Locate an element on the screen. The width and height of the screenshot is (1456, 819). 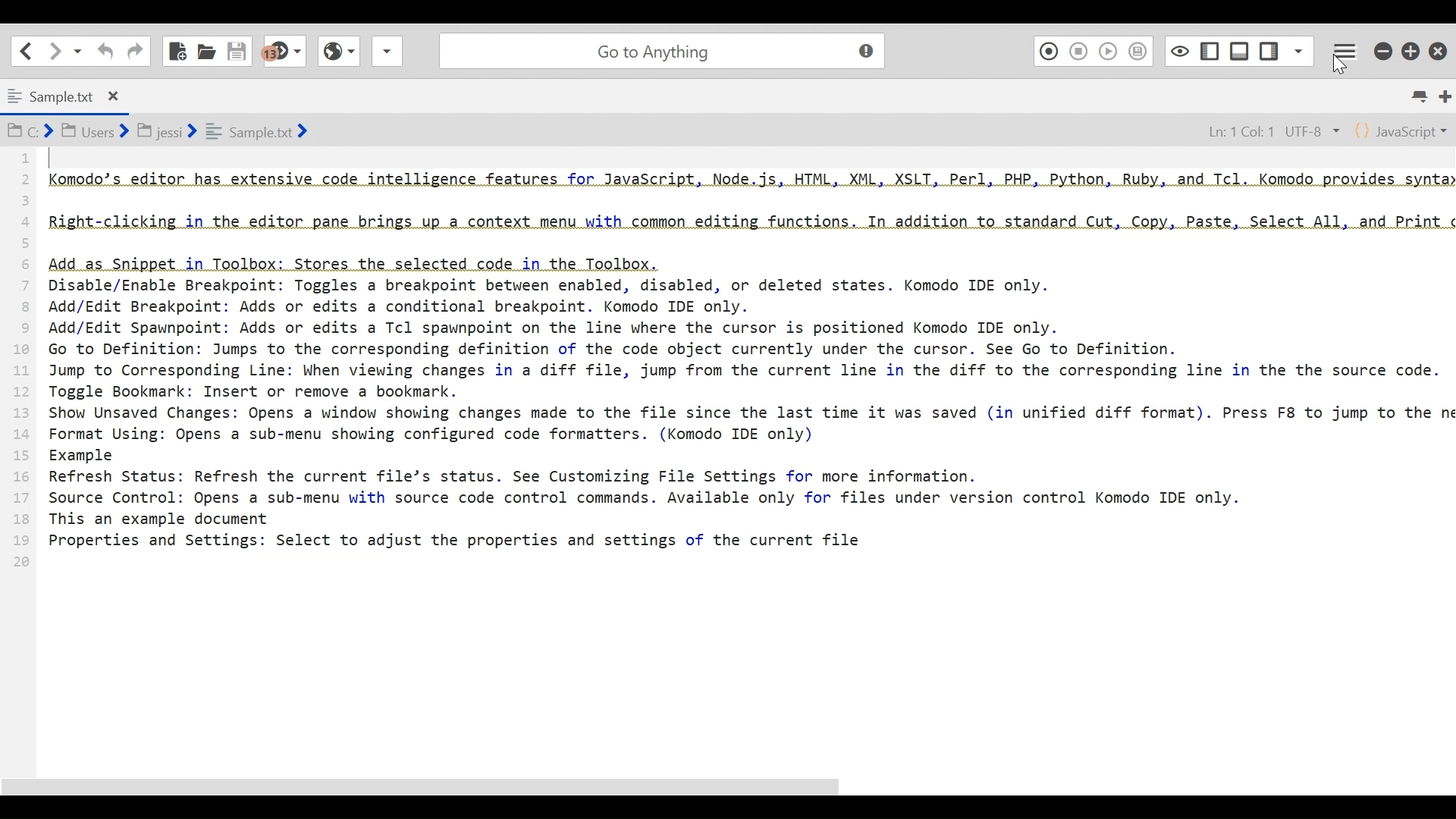
minimize is located at coordinates (1382, 49).